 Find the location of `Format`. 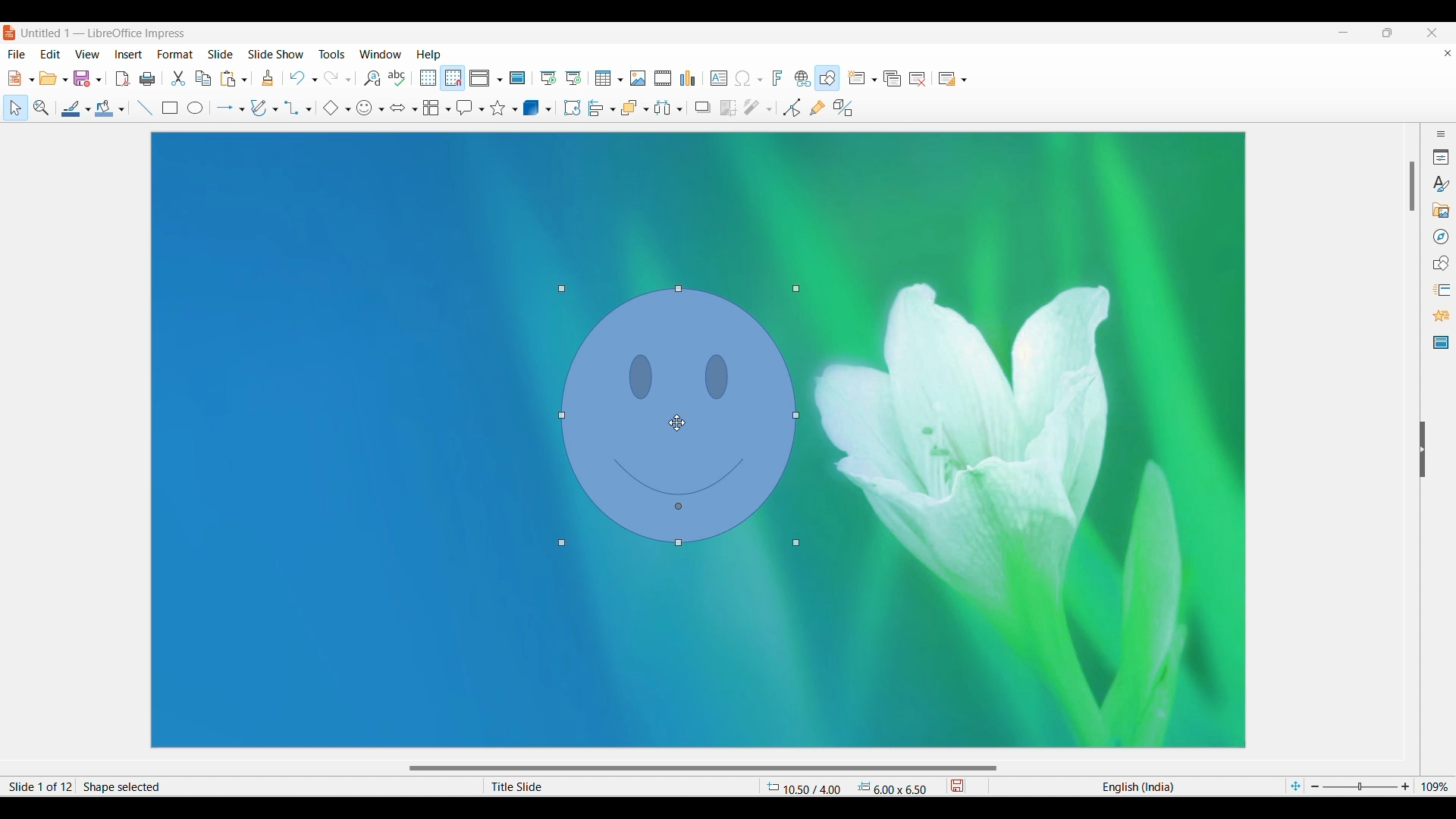

Format is located at coordinates (175, 55).